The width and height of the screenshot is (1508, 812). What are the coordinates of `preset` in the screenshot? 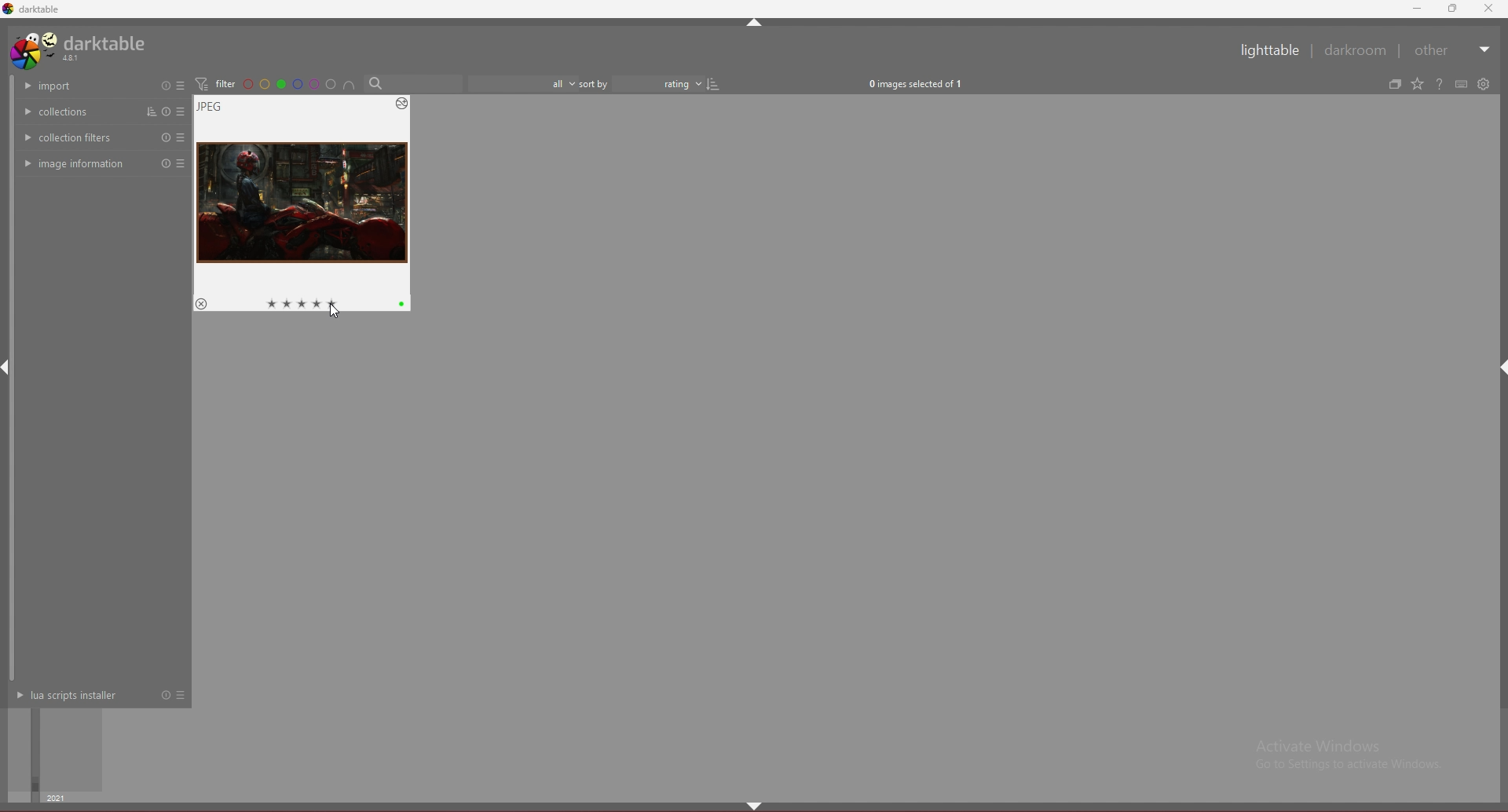 It's located at (181, 137).